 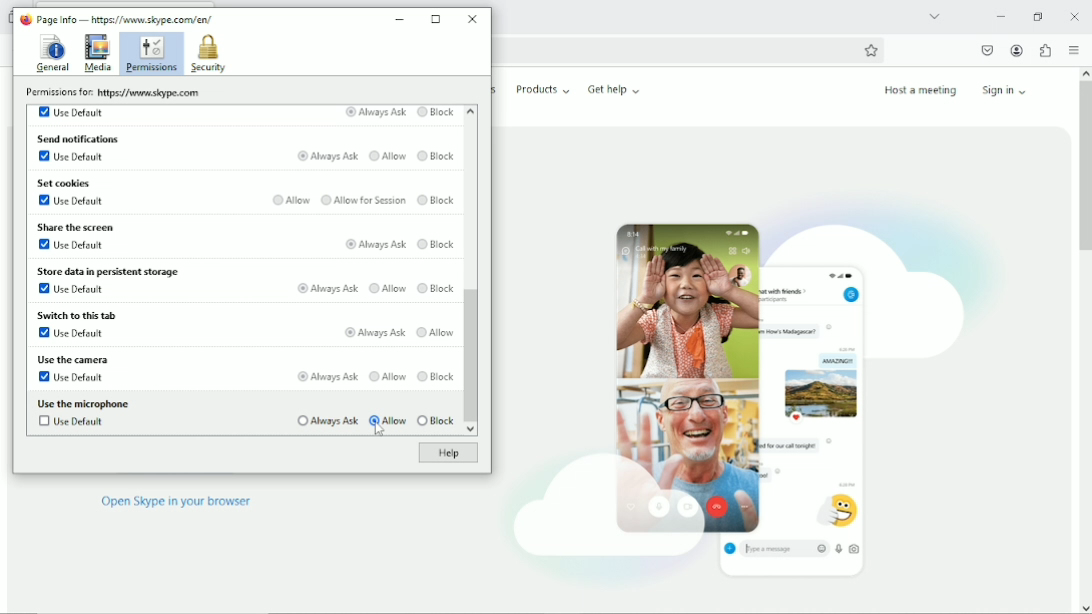 I want to click on Host a meeting, so click(x=919, y=90).